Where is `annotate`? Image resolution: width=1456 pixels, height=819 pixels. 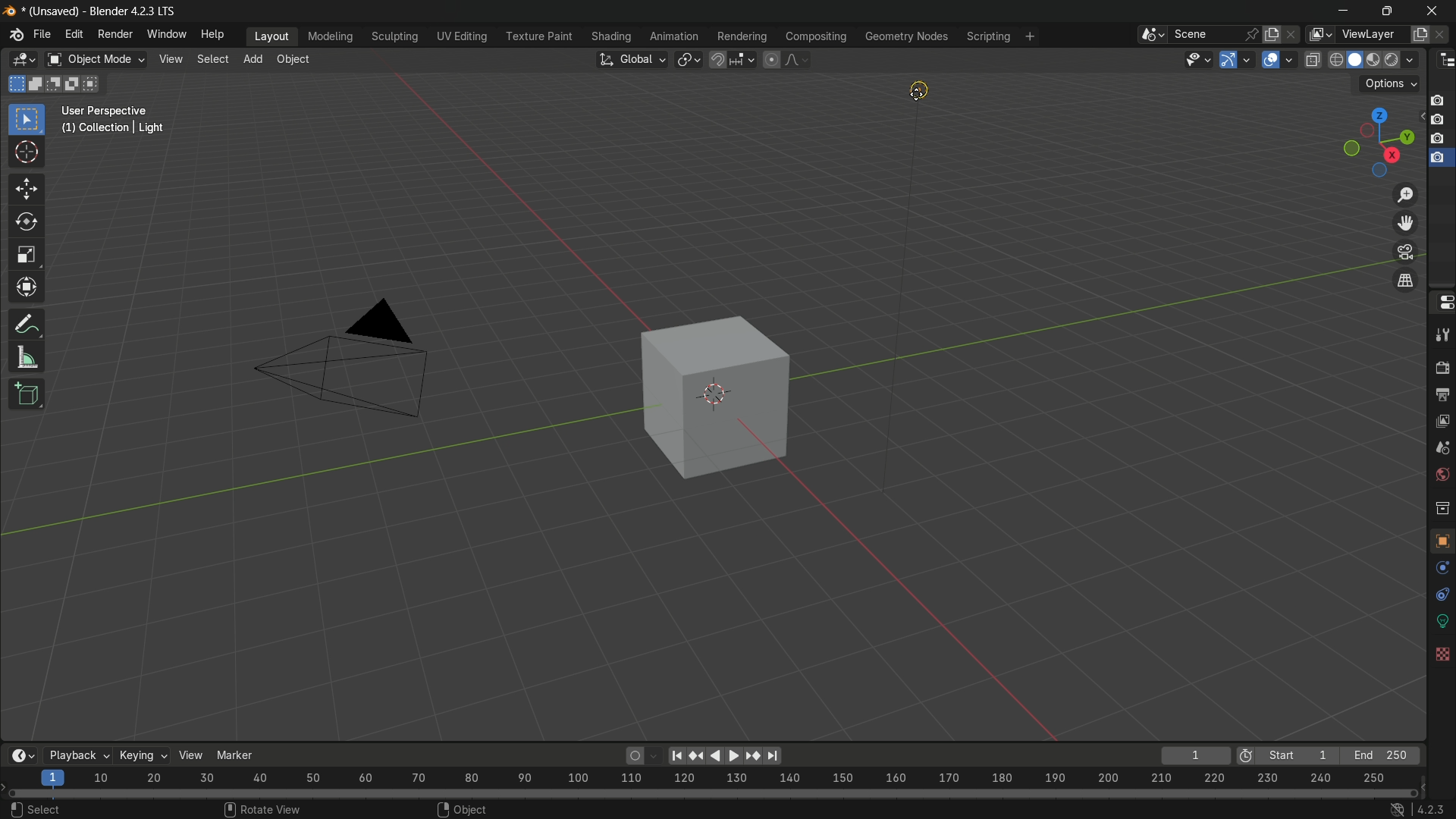
annotate is located at coordinates (30, 324).